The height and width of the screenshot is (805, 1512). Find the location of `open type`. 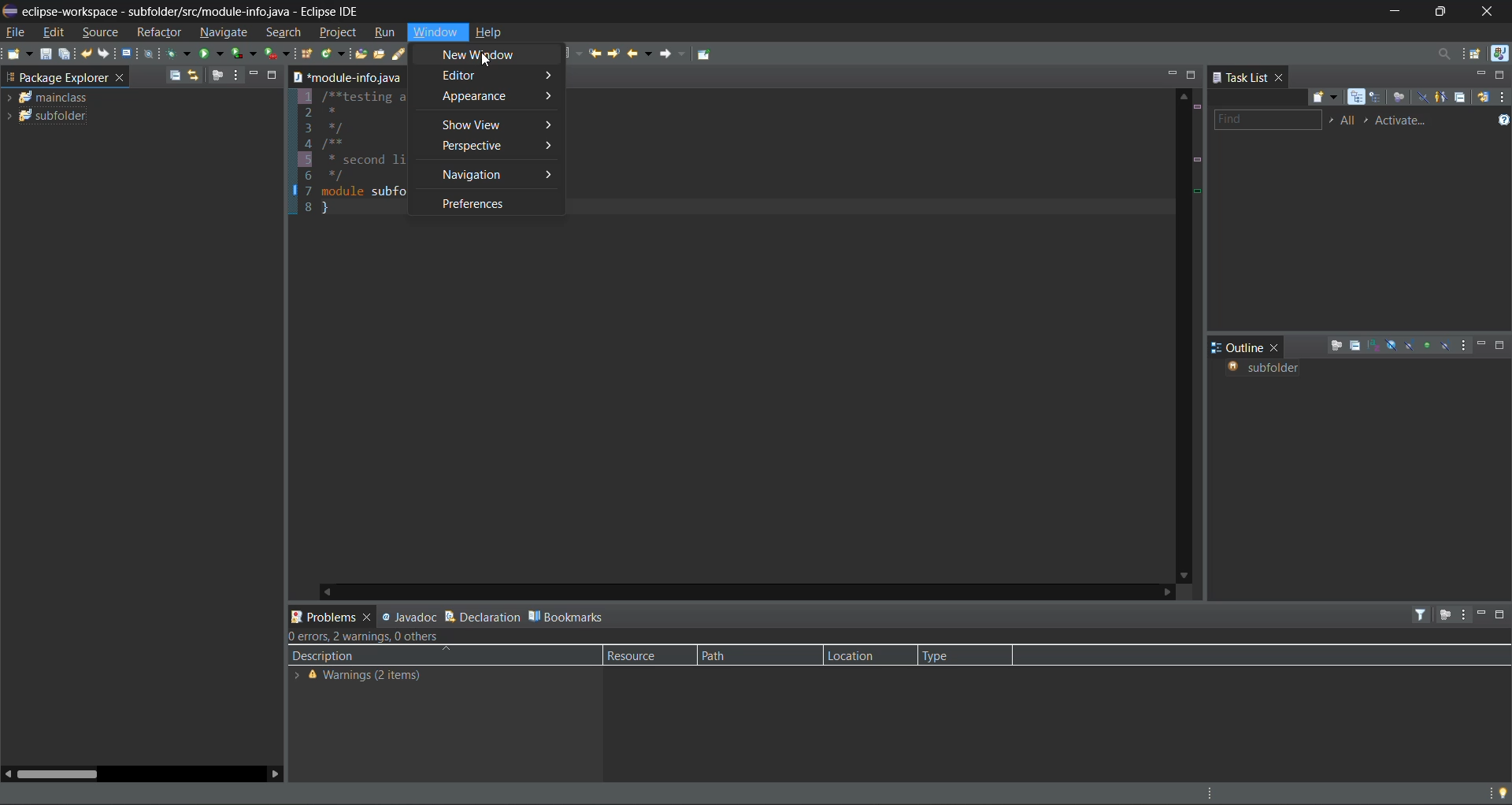

open type is located at coordinates (361, 55).